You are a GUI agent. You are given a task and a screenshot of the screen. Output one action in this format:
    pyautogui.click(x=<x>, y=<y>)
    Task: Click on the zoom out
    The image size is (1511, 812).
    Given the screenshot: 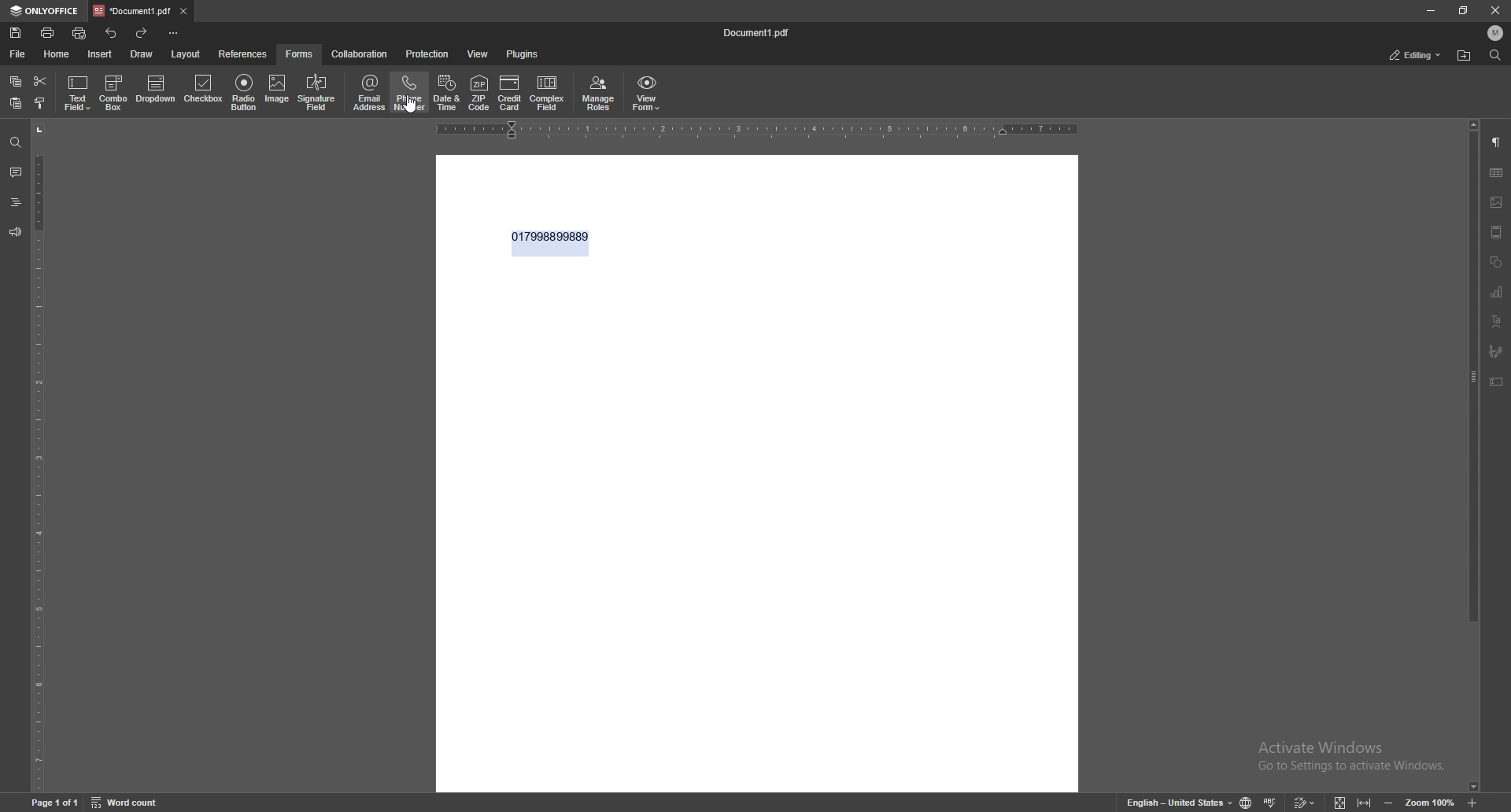 What is the action you would take?
    pyautogui.click(x=1389, y=803)
    